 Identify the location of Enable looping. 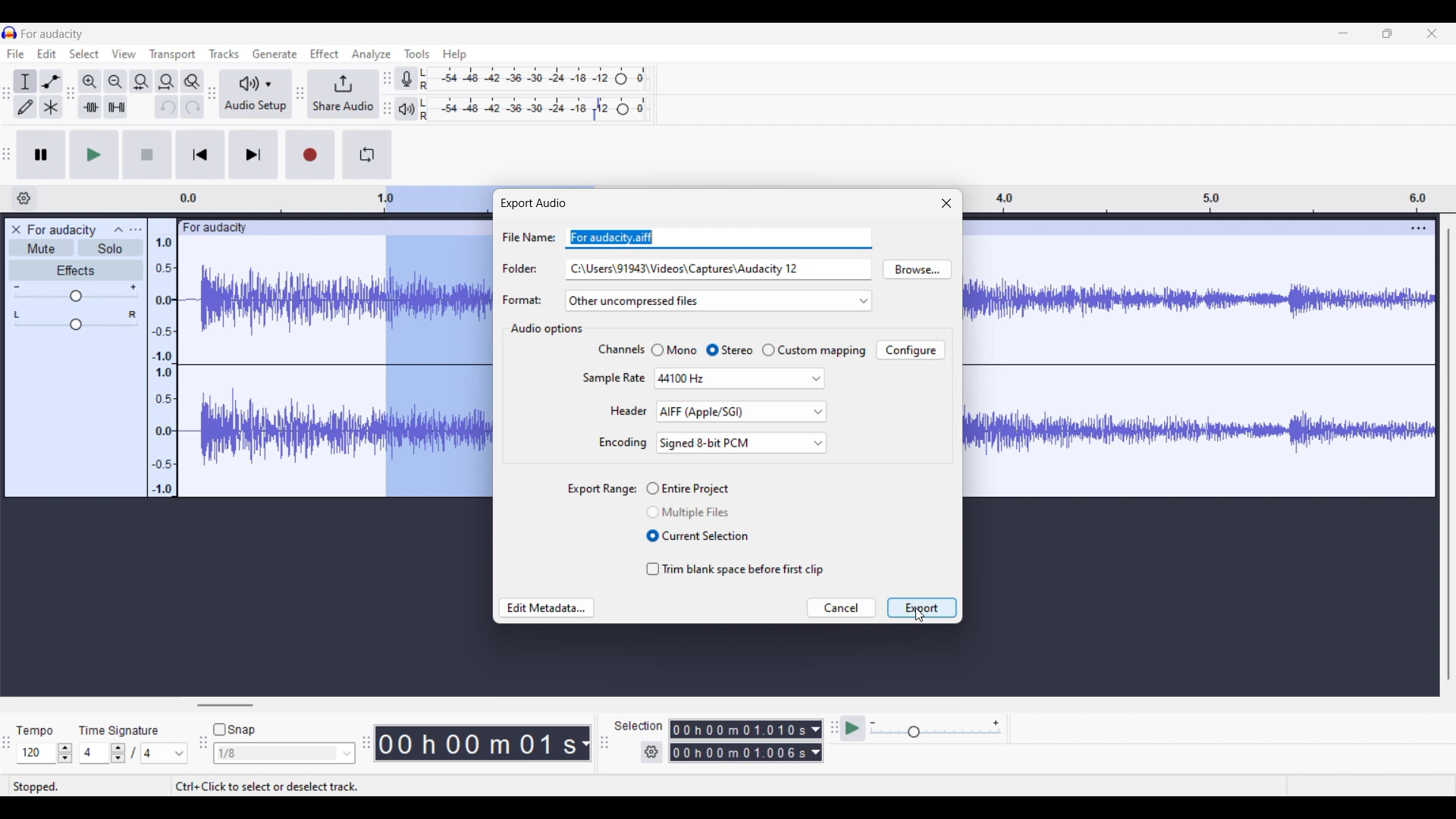
(367, 155).